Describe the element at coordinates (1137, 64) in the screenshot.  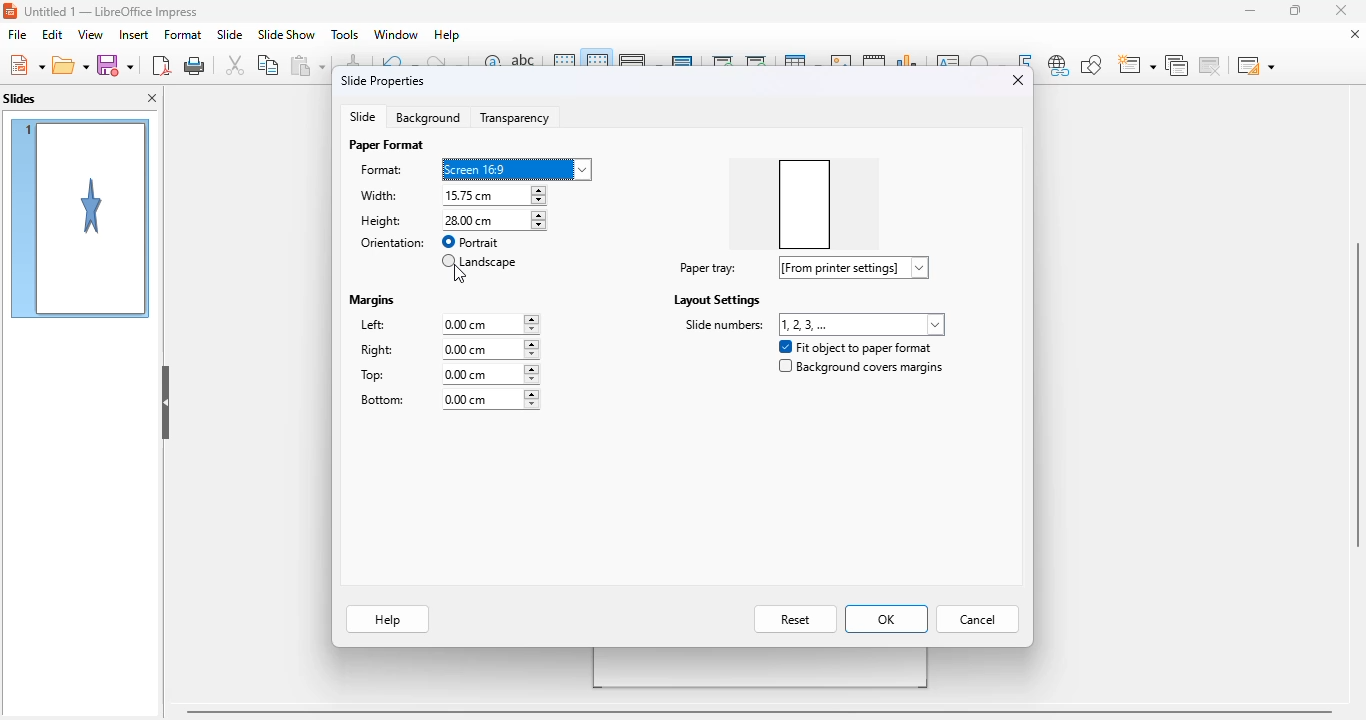
I see `new slide` at that location.